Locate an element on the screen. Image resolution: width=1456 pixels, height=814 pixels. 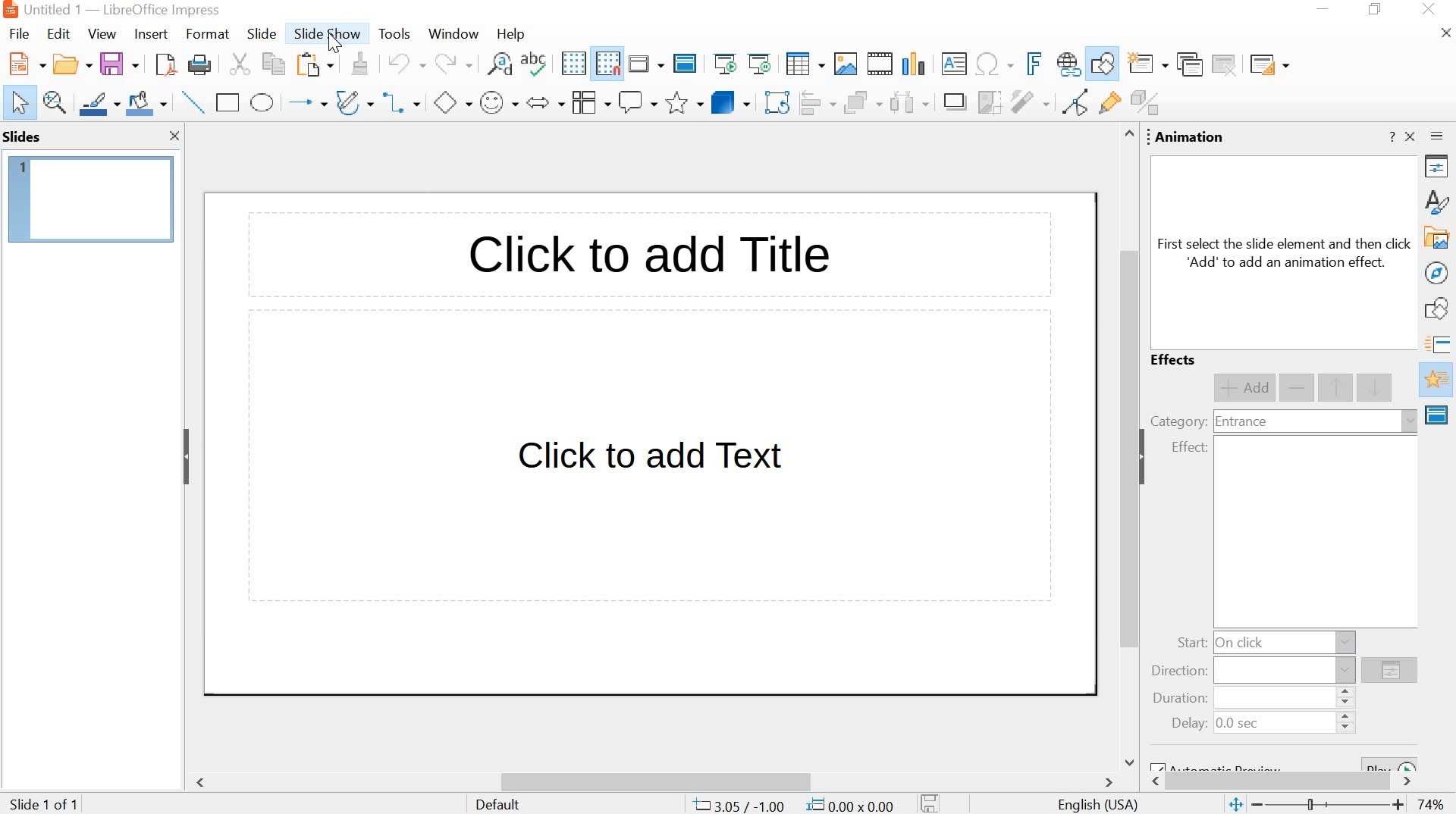
insert image is located at coordinates (845, 64).